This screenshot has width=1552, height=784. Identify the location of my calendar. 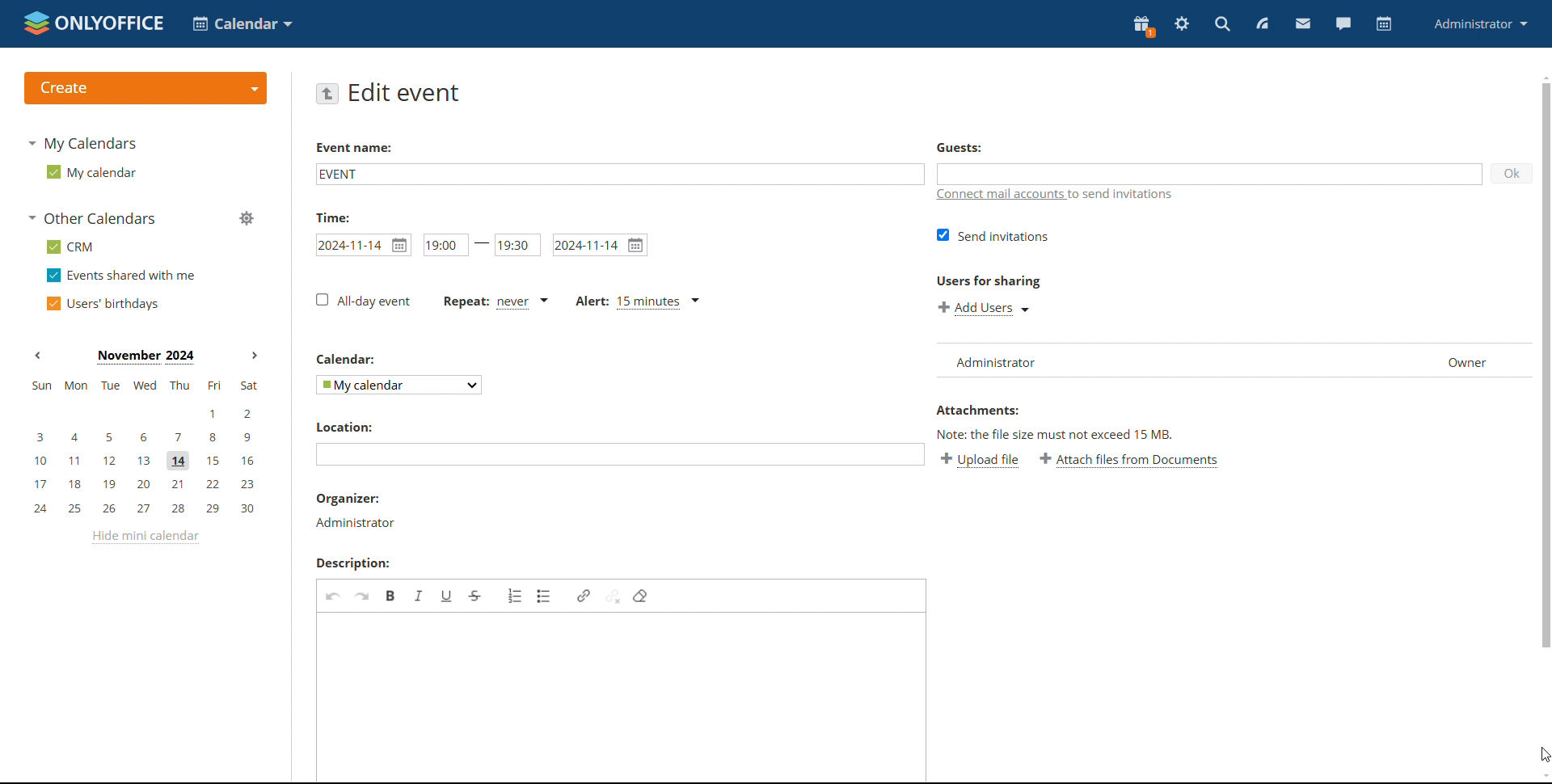
(90, 172).